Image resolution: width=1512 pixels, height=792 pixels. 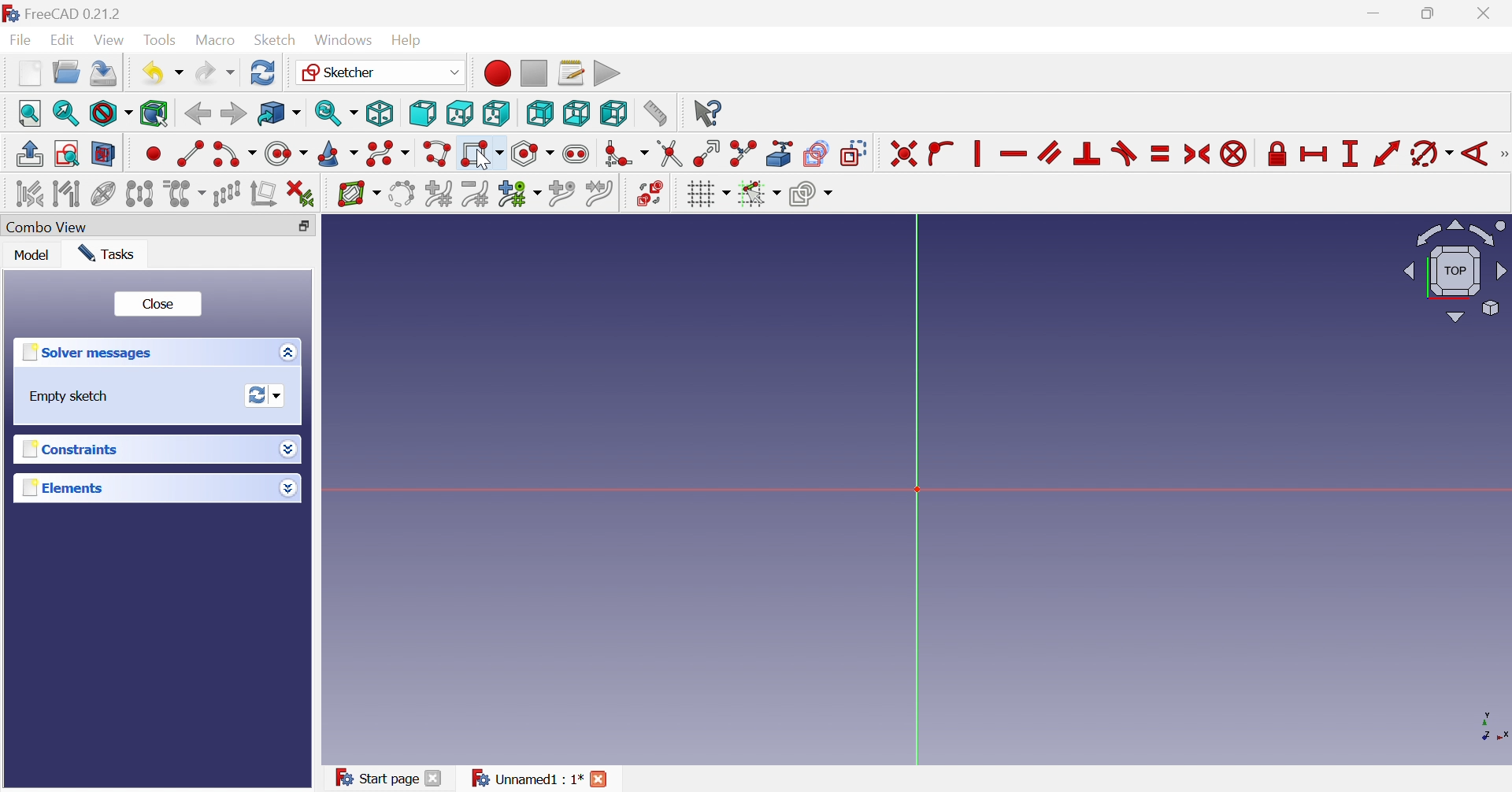 What do you see at coordinates (1277, 152) in the screenshot?
I see `Constrain lock` at bounding box center [1277, 152].